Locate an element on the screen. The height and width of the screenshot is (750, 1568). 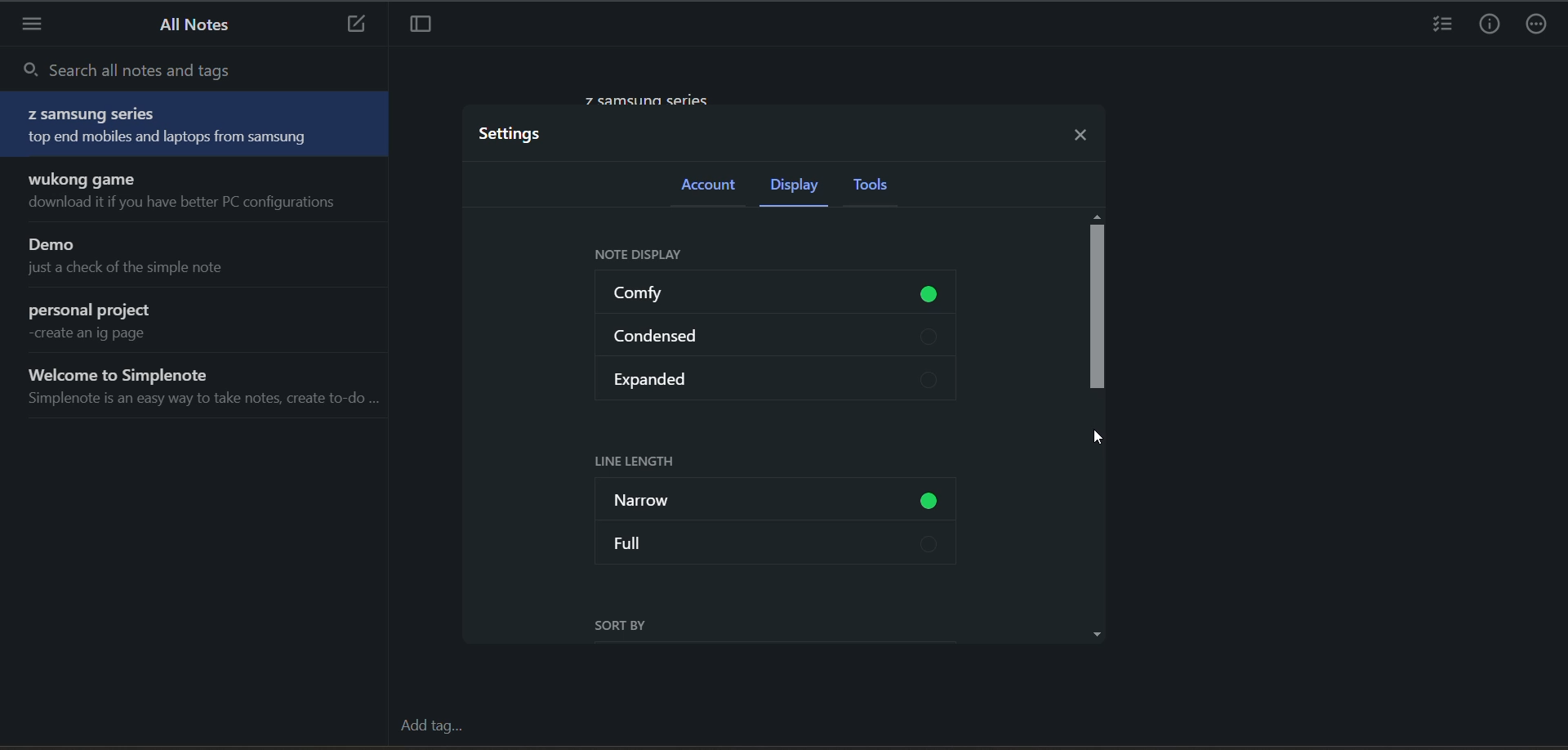
close is located at coordinates (1084, 132).